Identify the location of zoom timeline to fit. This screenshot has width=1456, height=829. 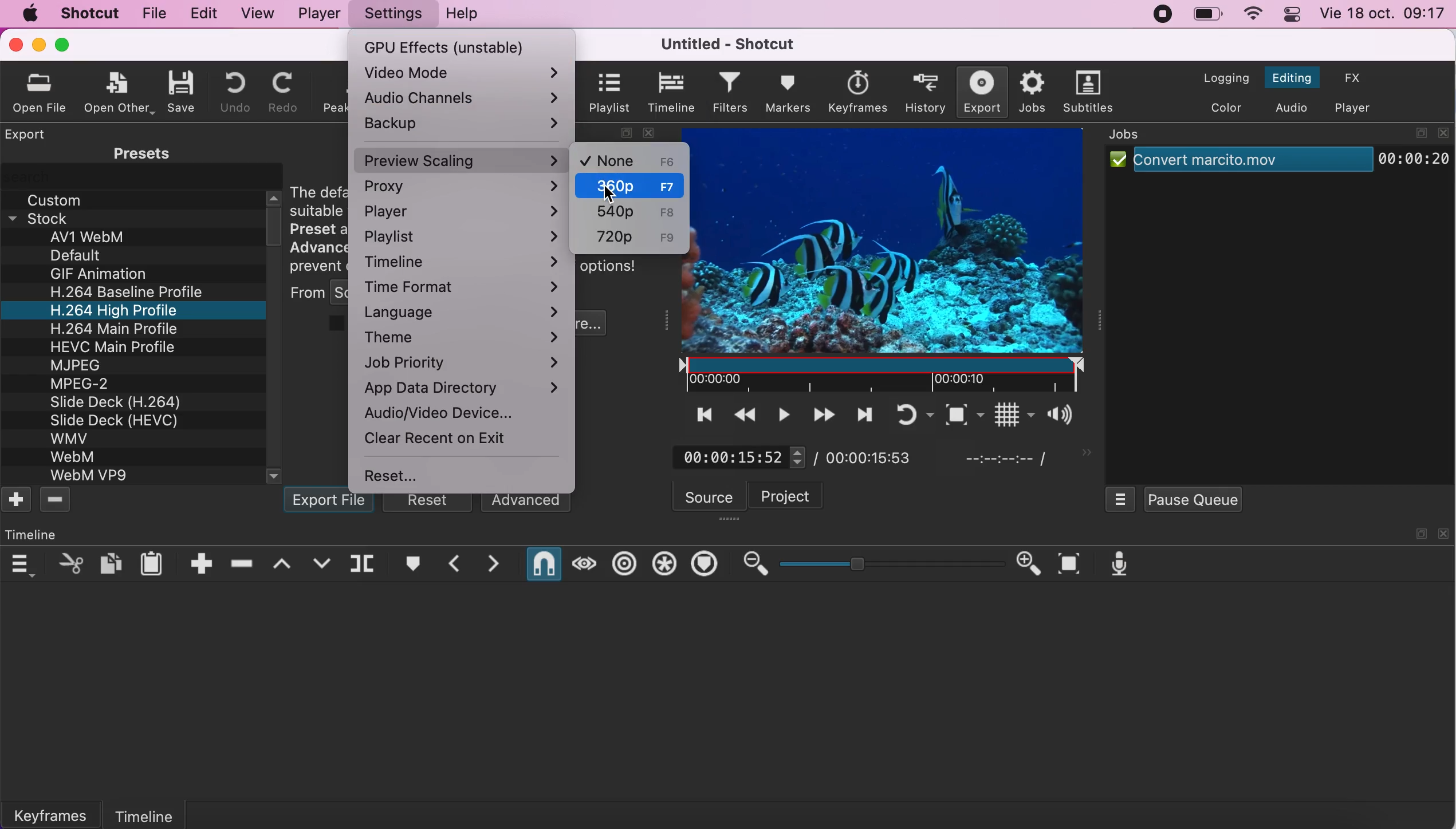
(1068, 564).